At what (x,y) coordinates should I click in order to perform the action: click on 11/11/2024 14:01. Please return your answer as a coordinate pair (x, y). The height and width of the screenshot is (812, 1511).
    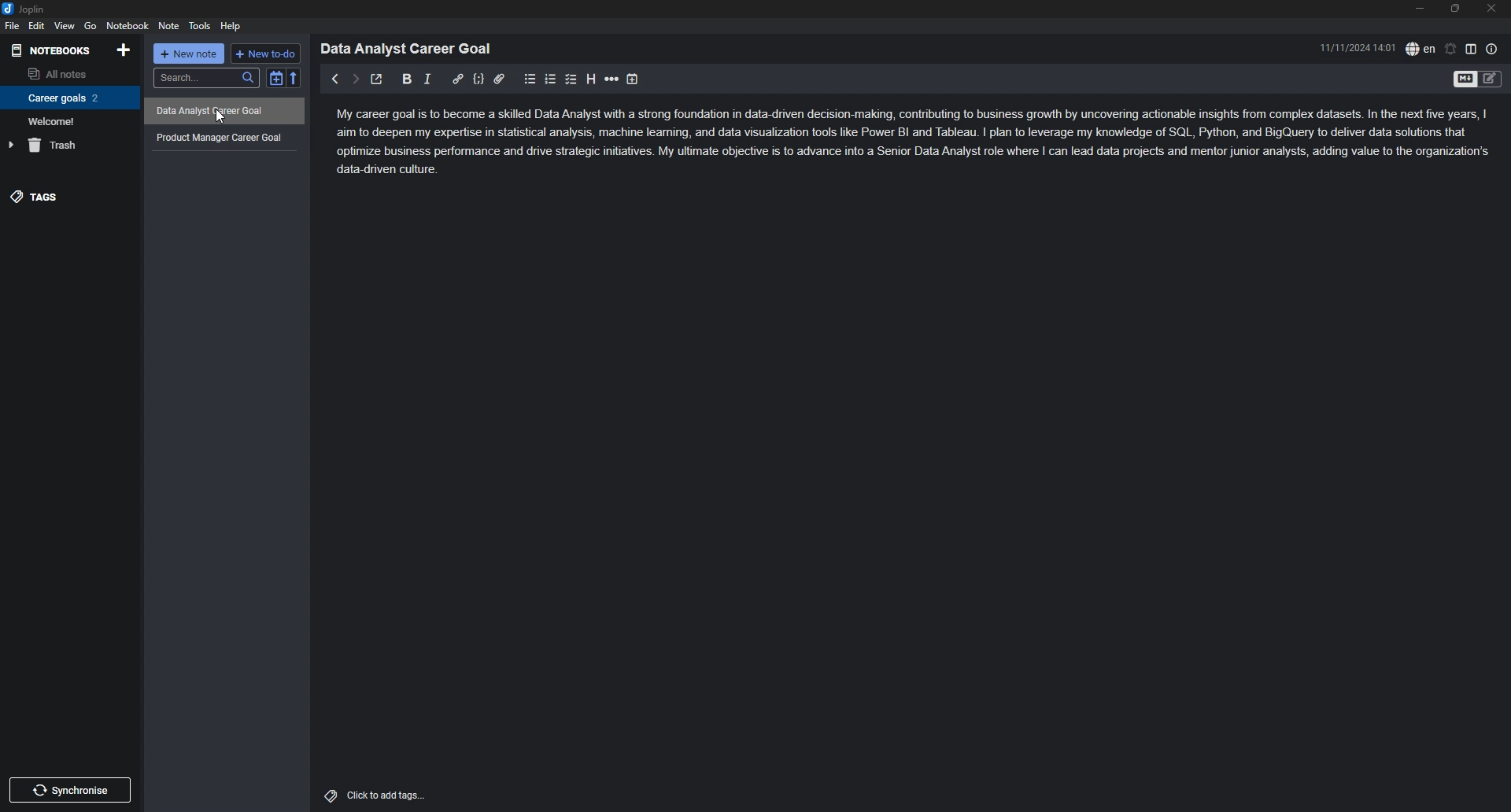
    Looking at the image, I should click on (1358, 47).